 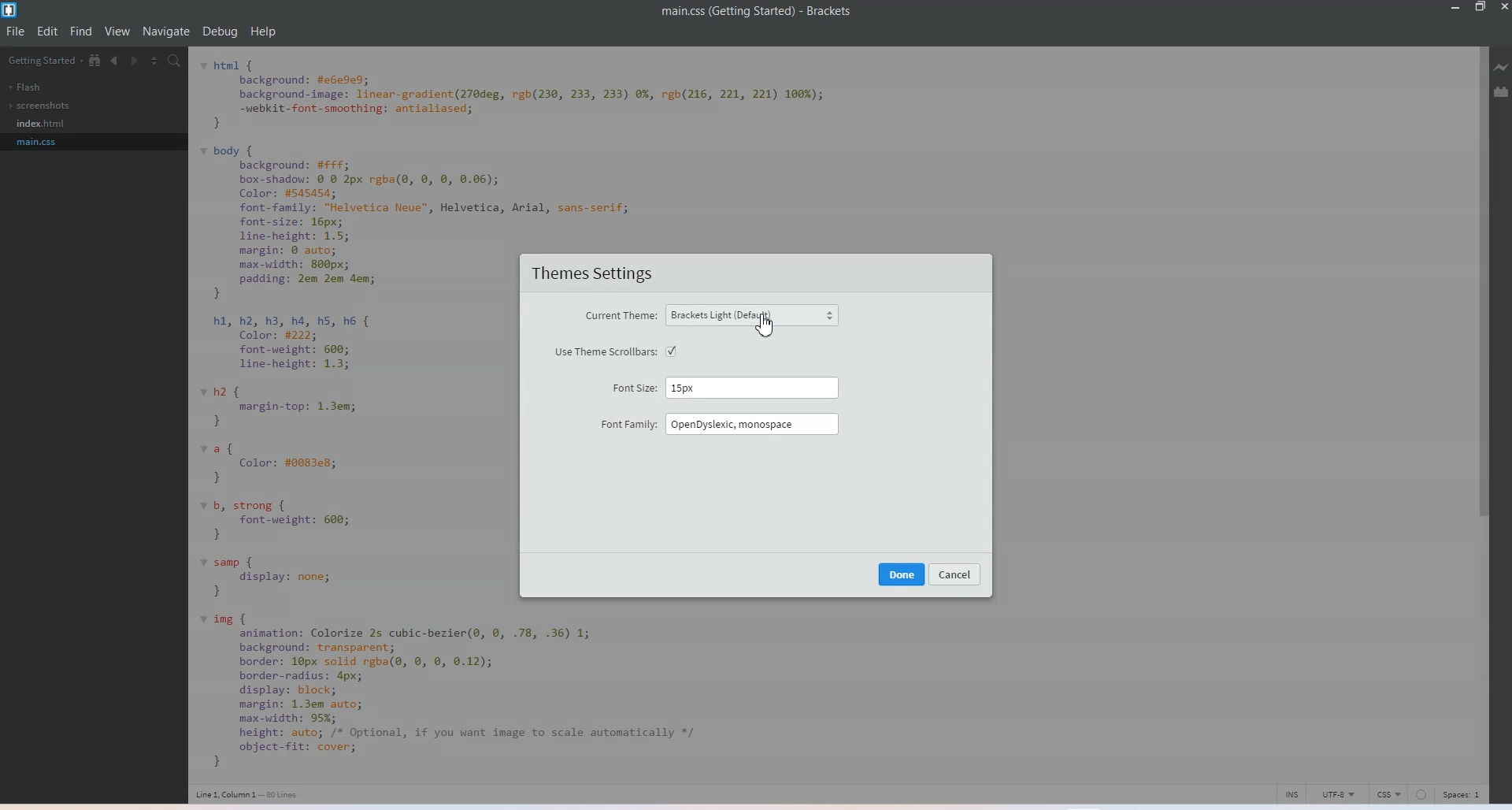 What do you see at coordinates (1503, 91) in the screenshot?
I see `Extension Manager` at bounding box center [1503, 91].